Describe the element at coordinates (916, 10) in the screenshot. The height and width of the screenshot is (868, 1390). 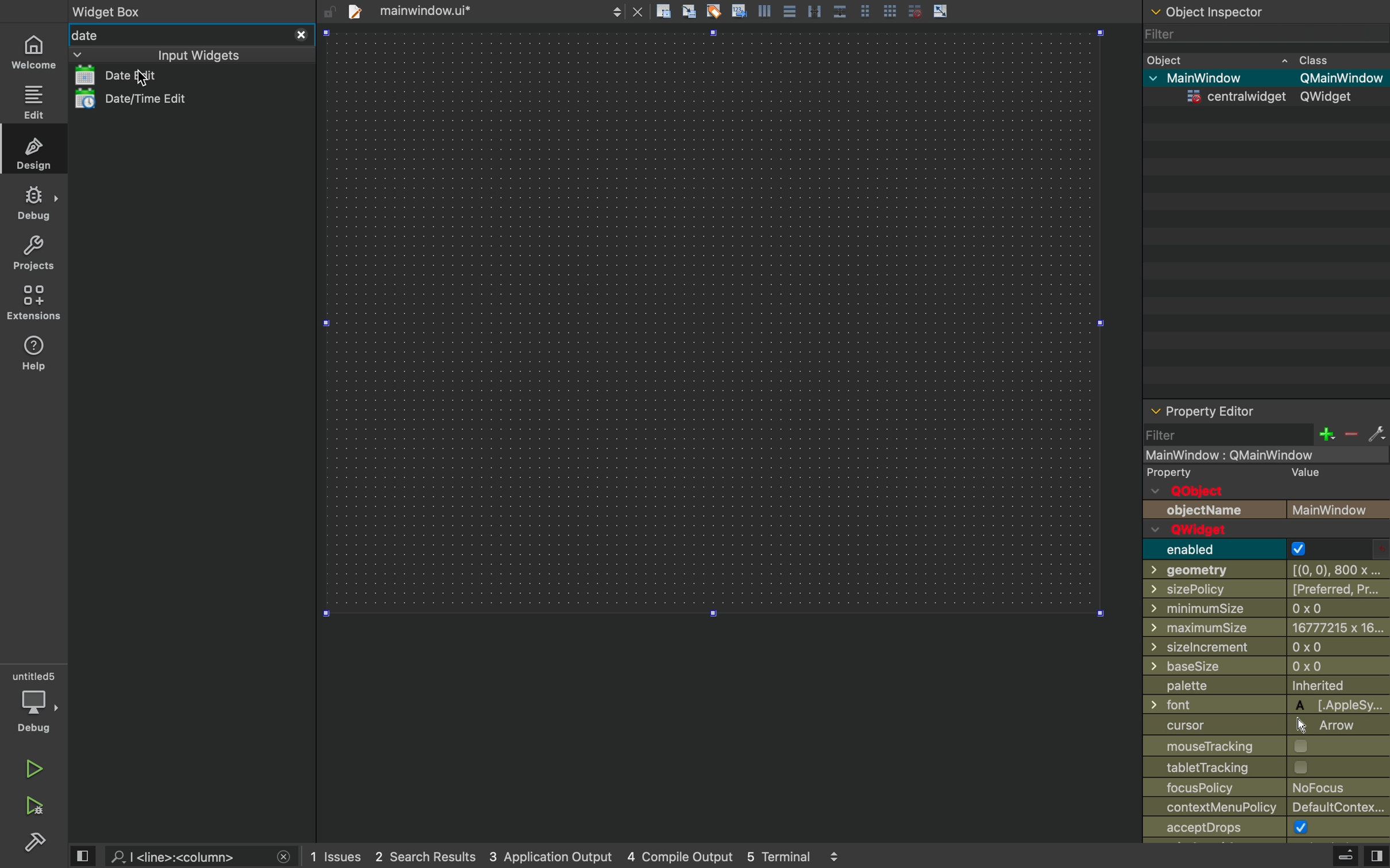
I see `disable grid snap` at that location.